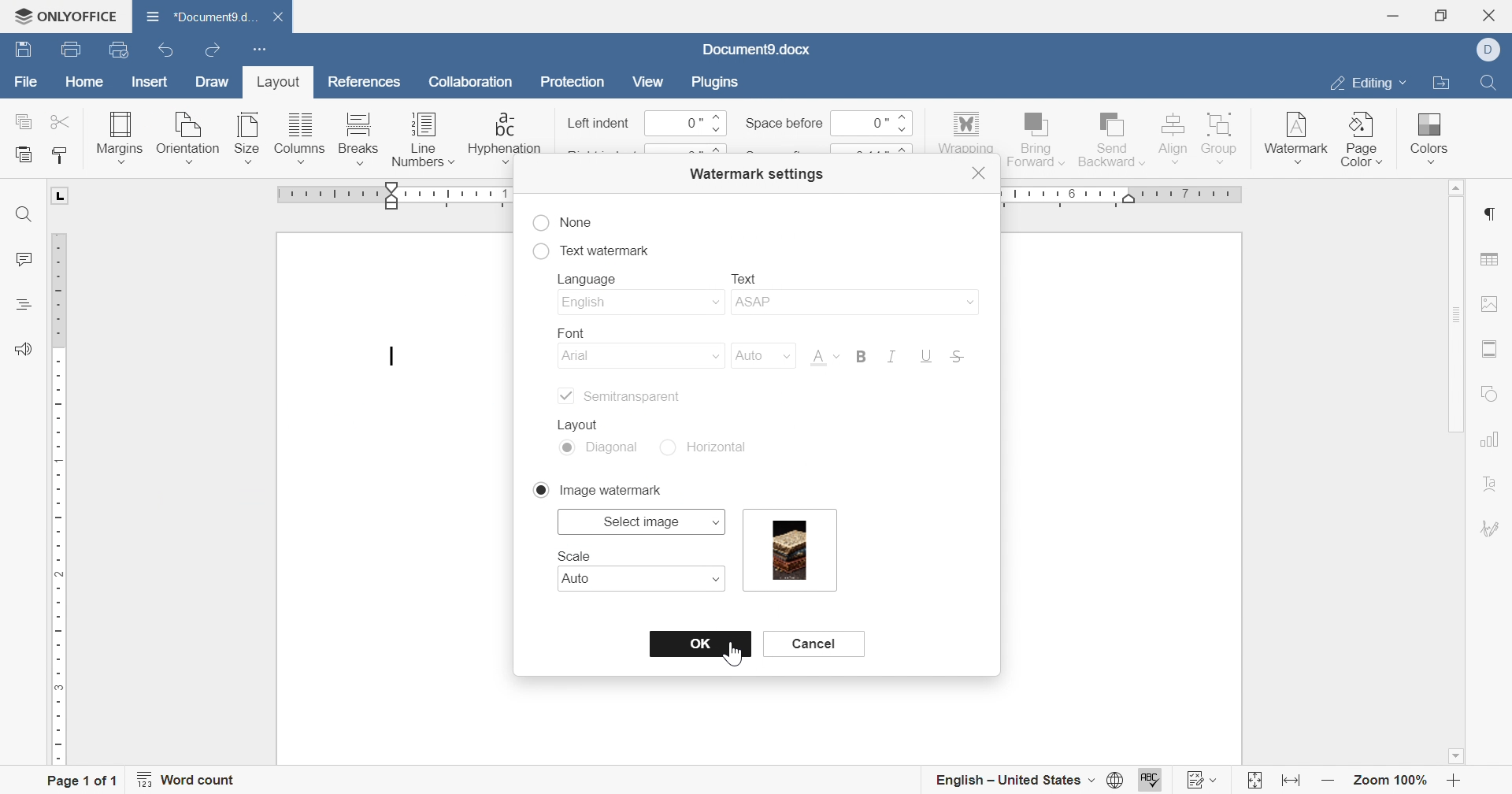 The width and height of the screenshot is (1512, 794). Describe the element at coordinates (256, 47) in the screenshot. I see `customize quick access toolbar` at that location.